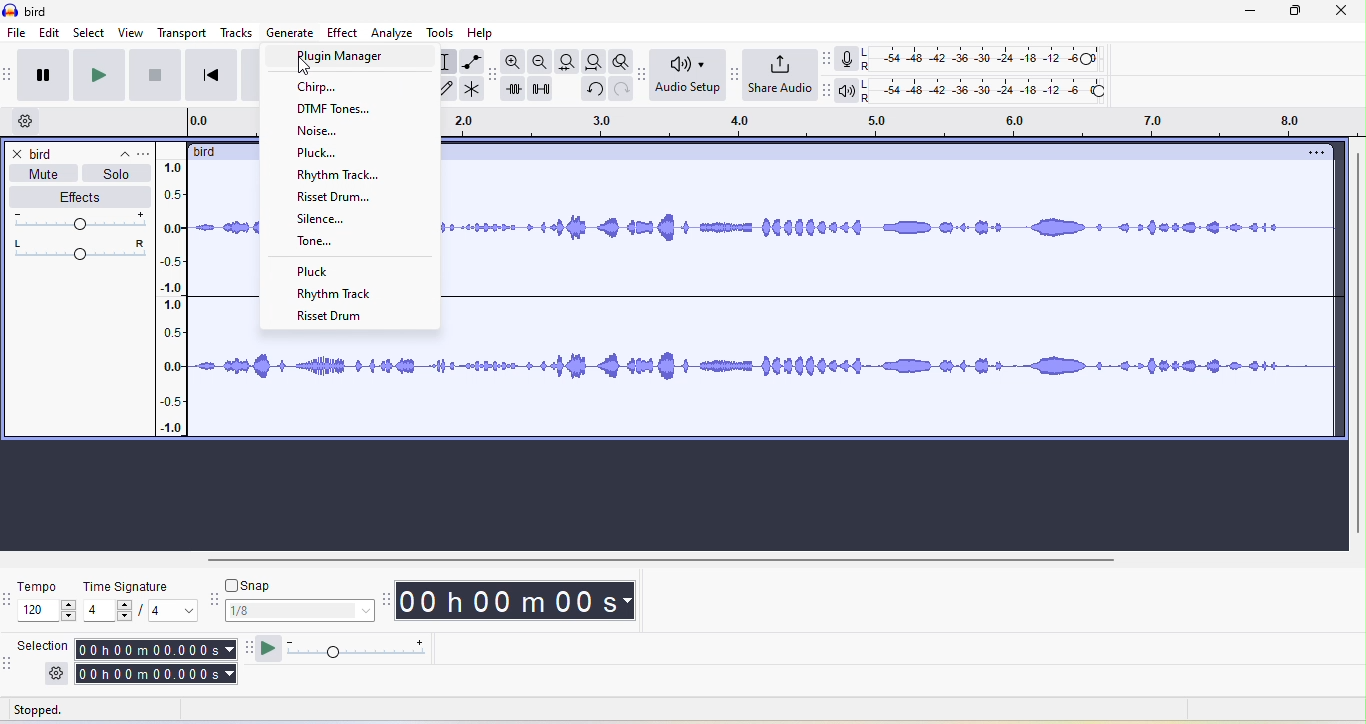  What do you see at coordinates (731, 79) in the screenshot?
I see `audacity share audio toolbar` at bounding box center [731, 79].